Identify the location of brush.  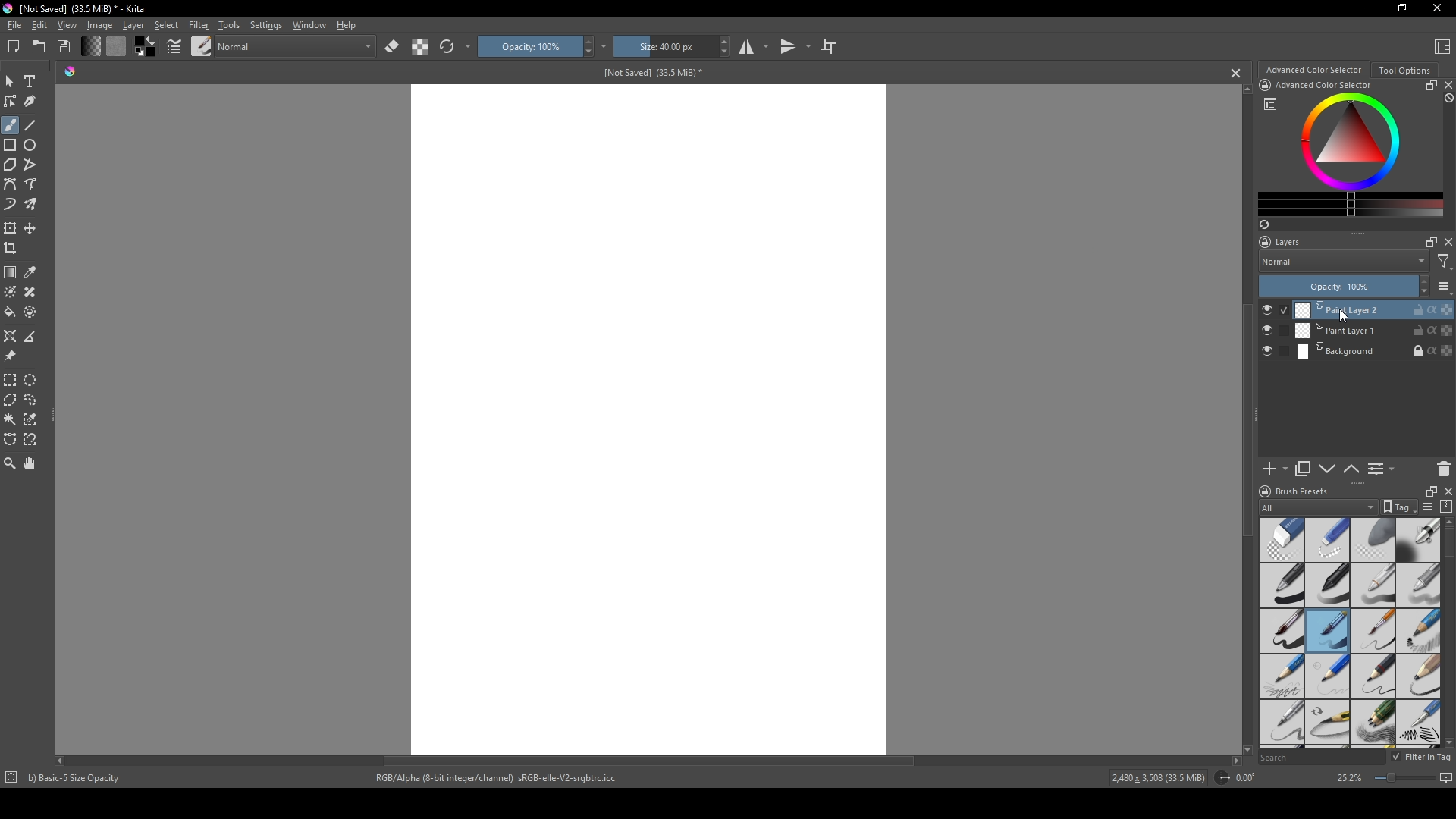
(10, 125).